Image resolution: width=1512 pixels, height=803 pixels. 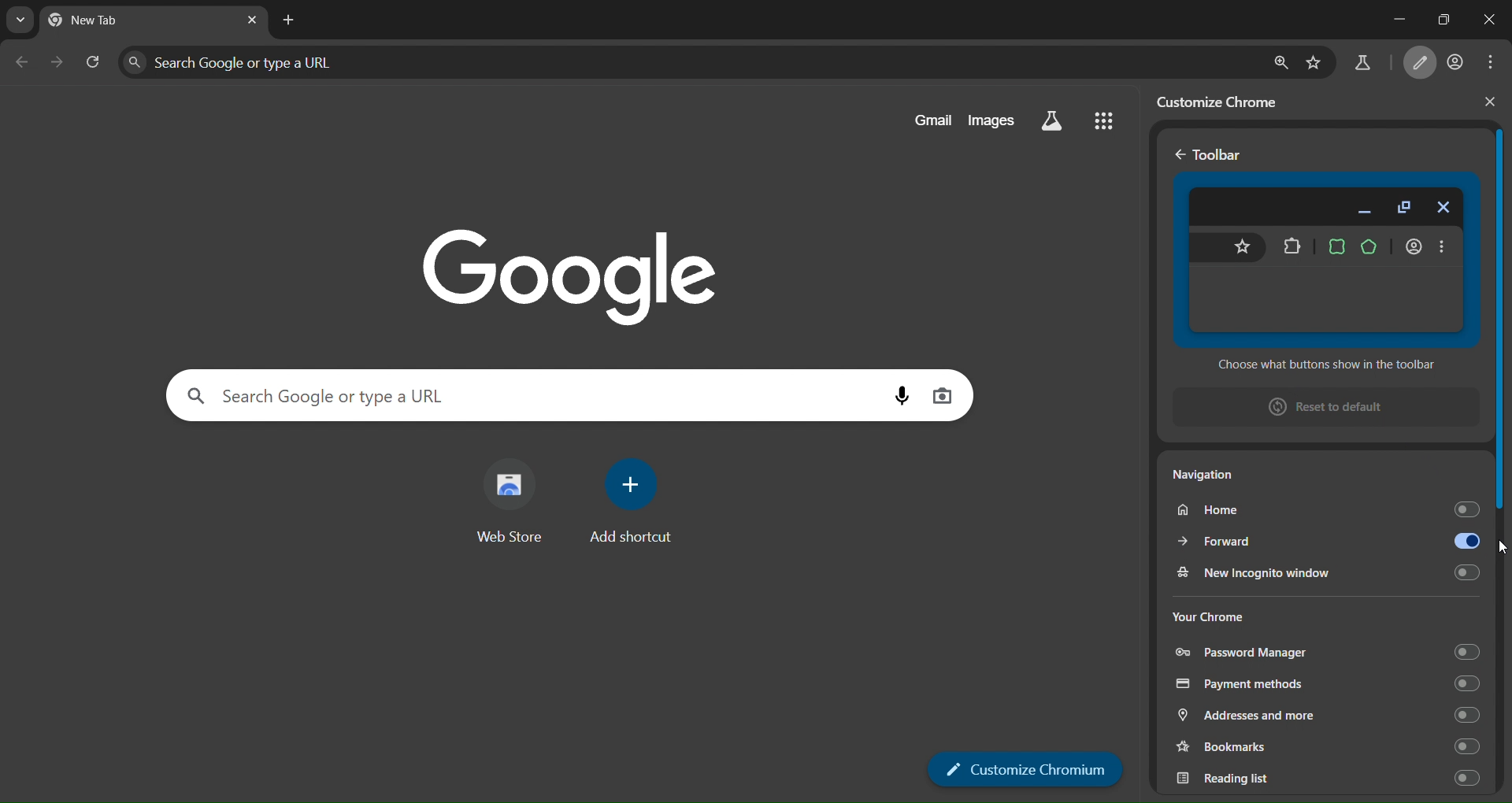 I want to click on bookmarks, so click(x=1325, y=745).